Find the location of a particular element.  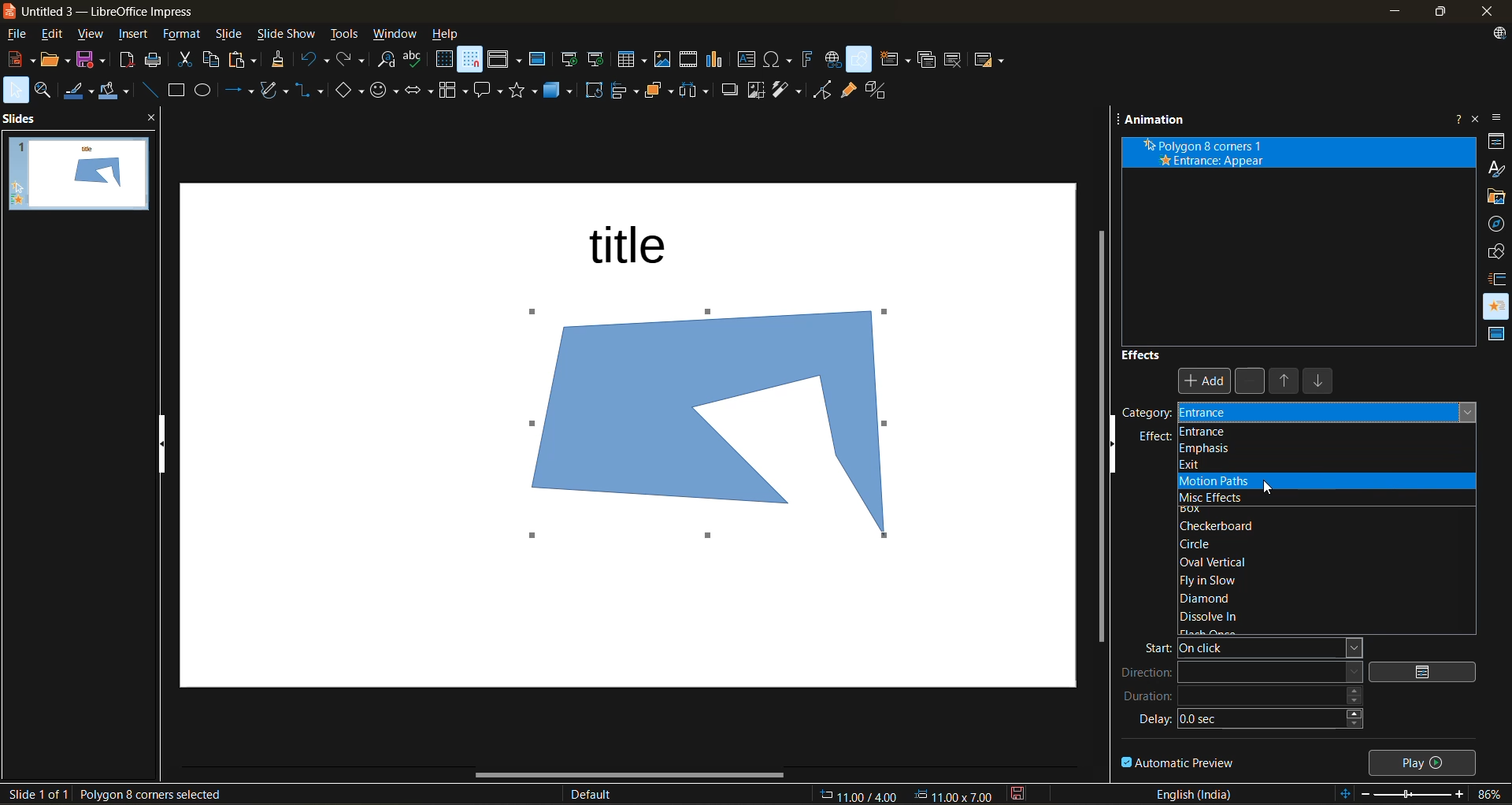

animation effect is located at coordinates (1302, 152).